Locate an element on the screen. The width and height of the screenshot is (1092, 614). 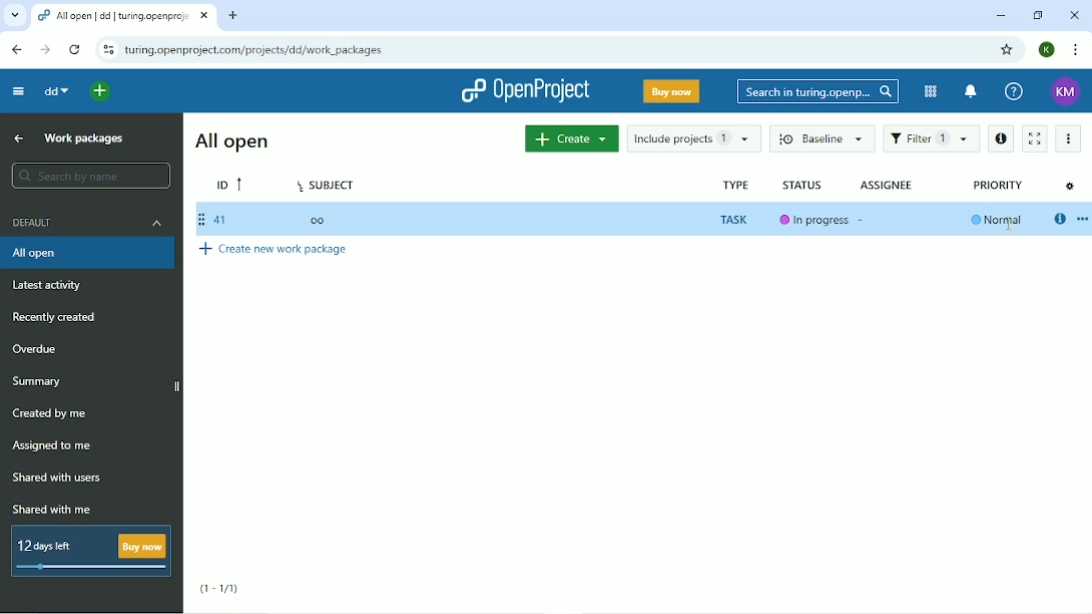
New tab is located at coordinates (234, 17).